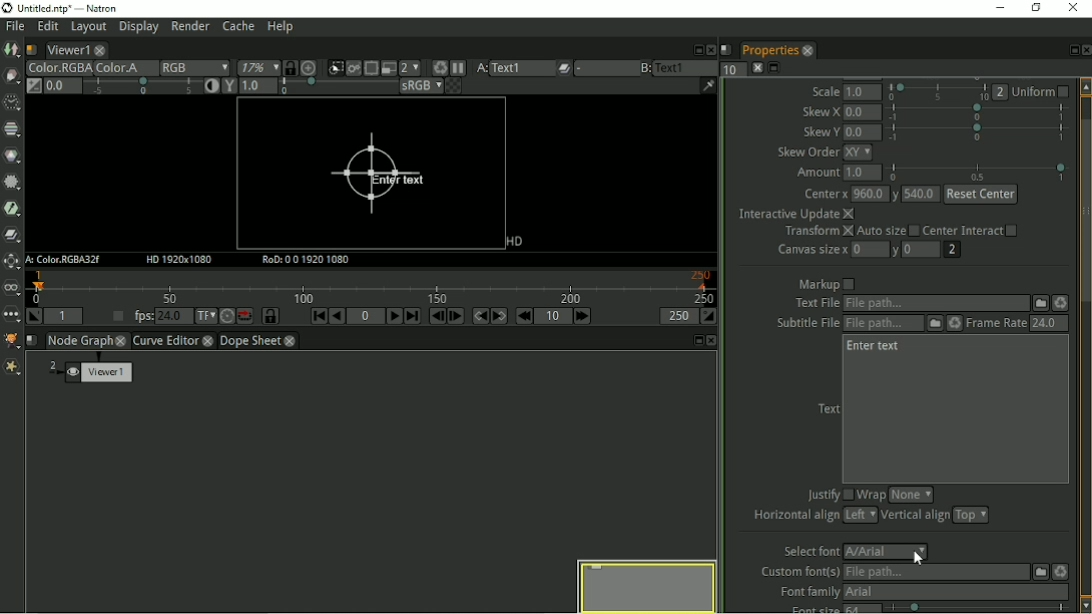  I want to click on Extra, so click(12, 368).